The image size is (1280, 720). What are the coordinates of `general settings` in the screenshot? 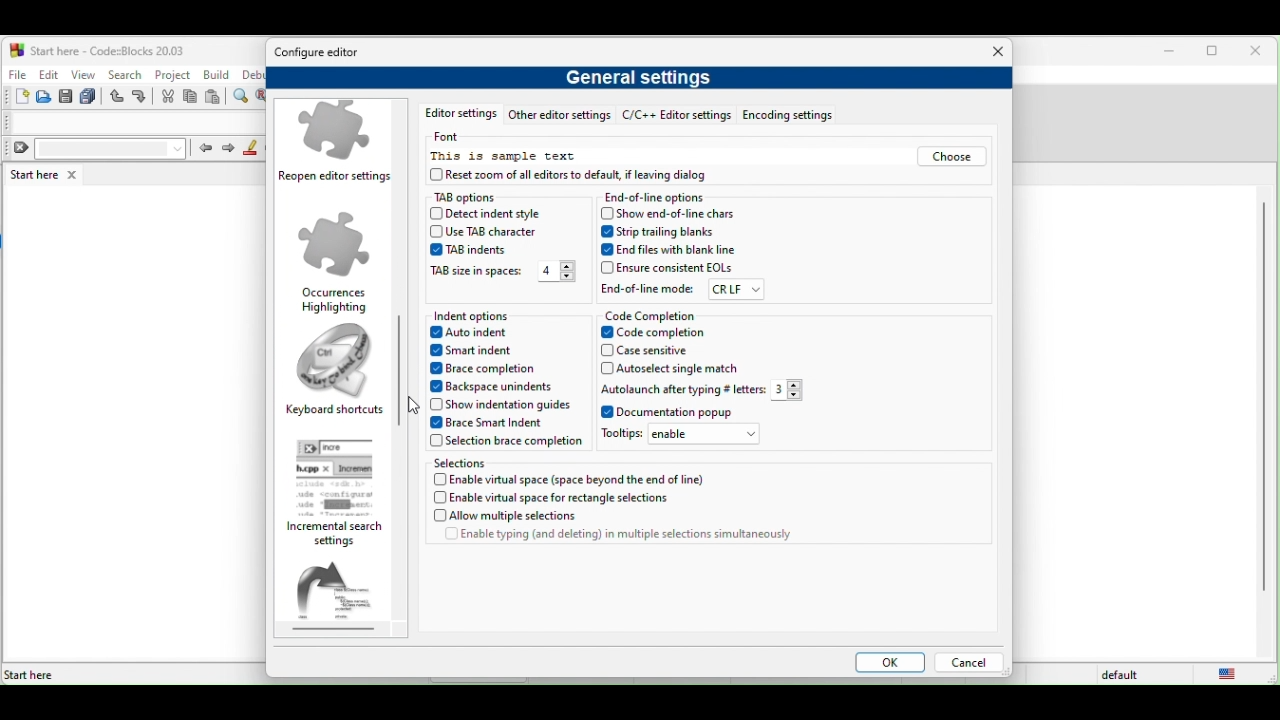 It's located at (643, 81).